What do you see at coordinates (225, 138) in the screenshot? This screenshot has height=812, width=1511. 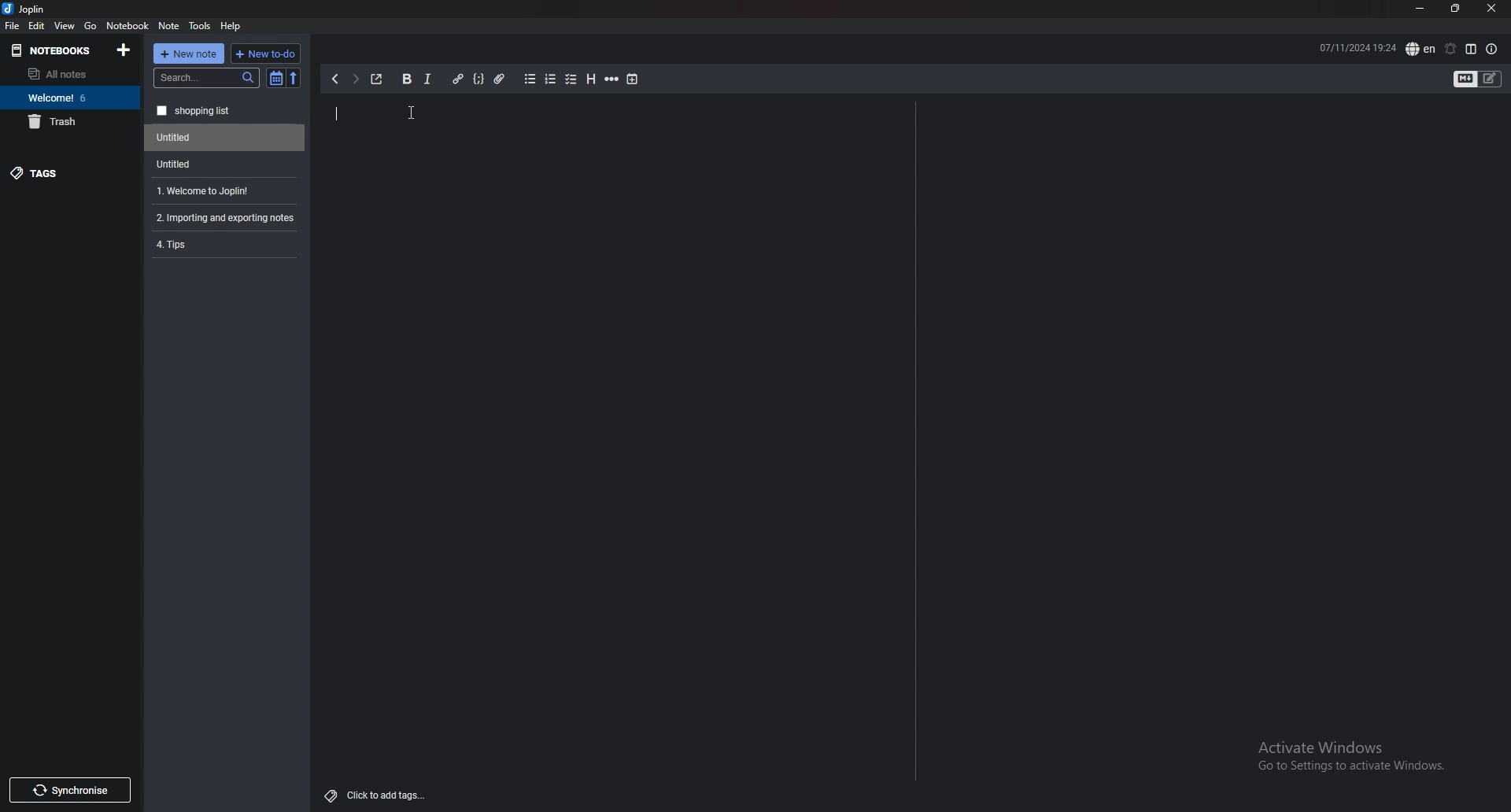 I see `Untitled` at bounding box center [225, 138].